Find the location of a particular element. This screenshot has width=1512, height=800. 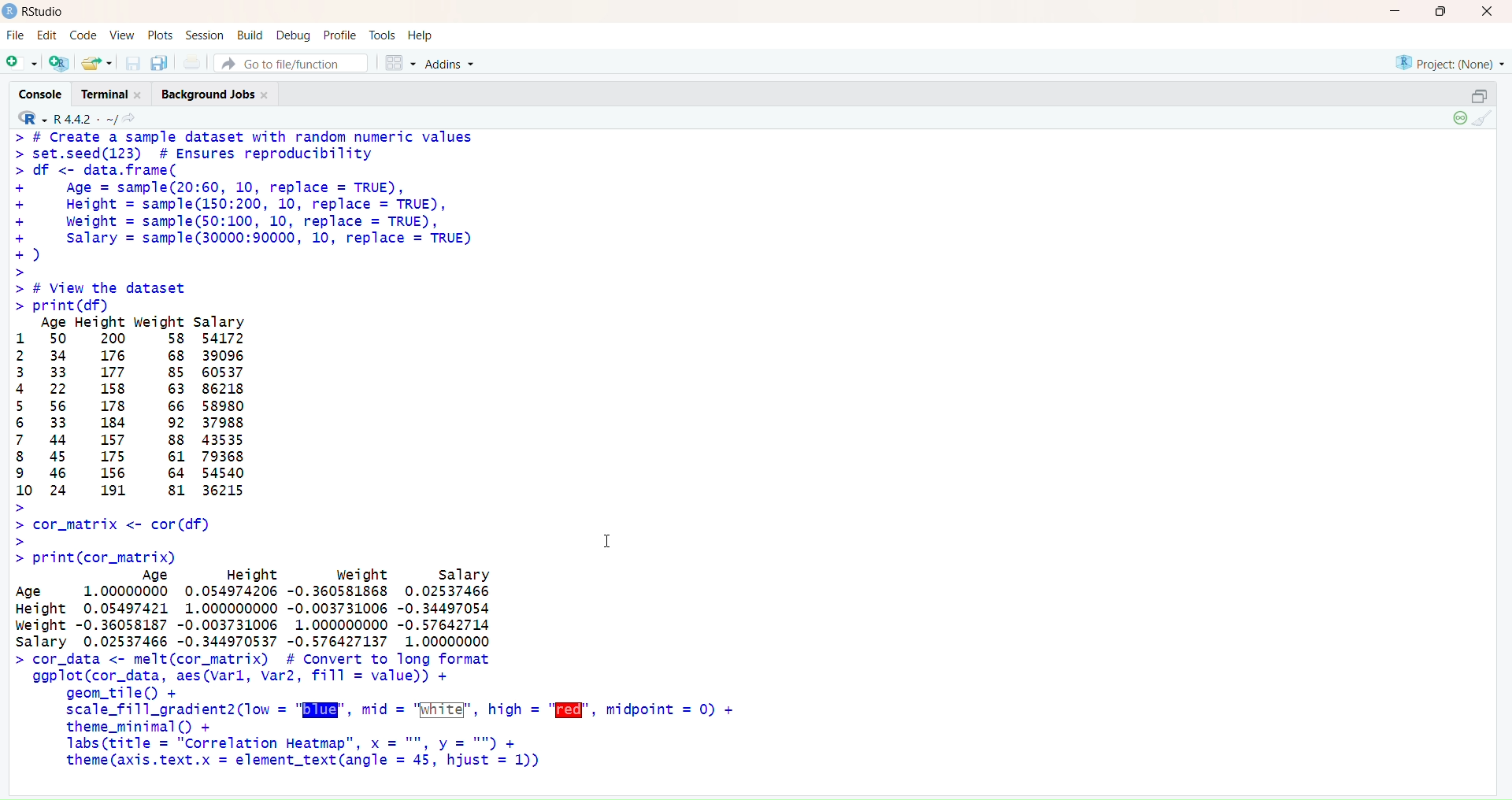

Print the current file is located at coordinates (193, 62).